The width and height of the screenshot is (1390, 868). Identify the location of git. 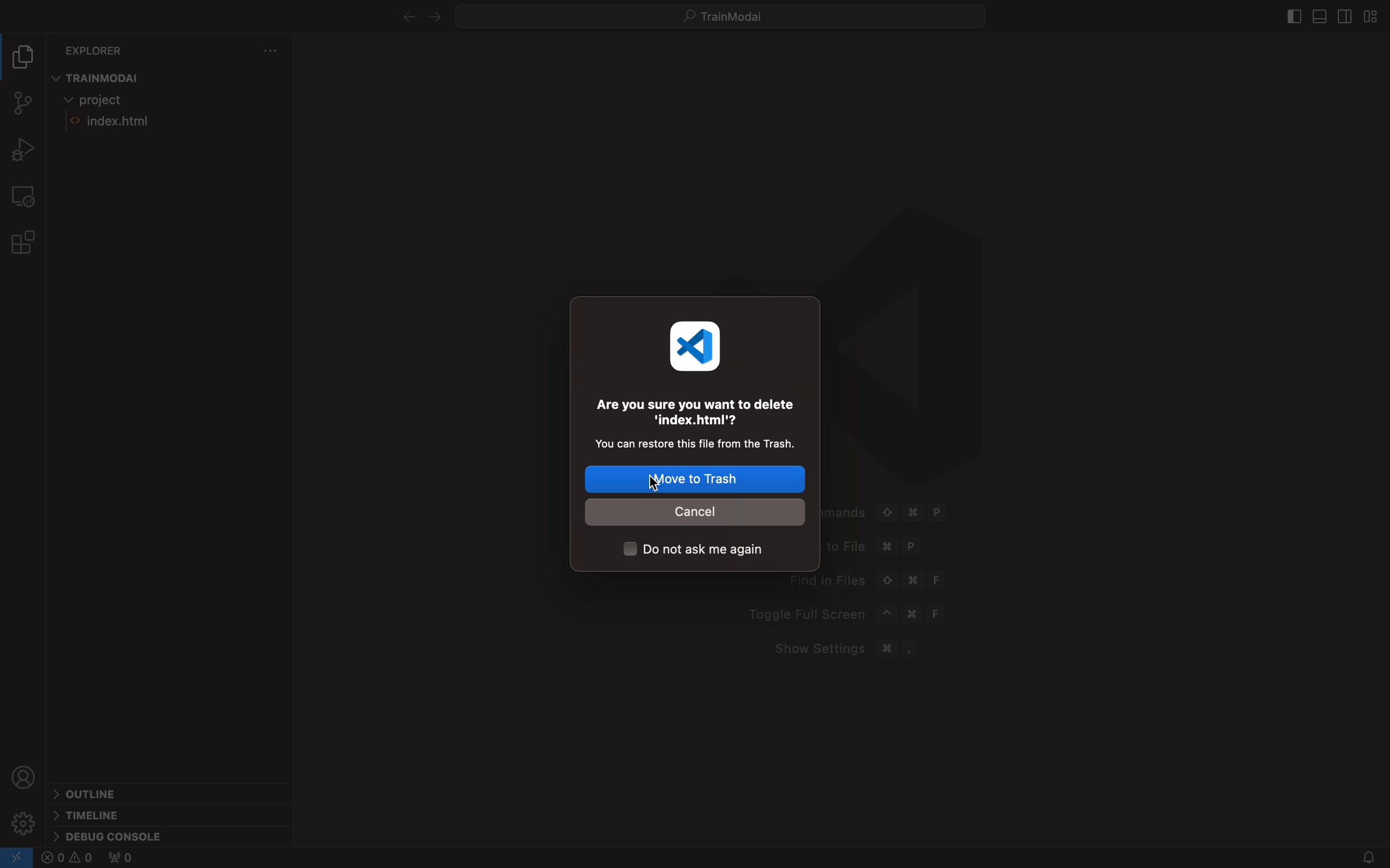
(21, 101).